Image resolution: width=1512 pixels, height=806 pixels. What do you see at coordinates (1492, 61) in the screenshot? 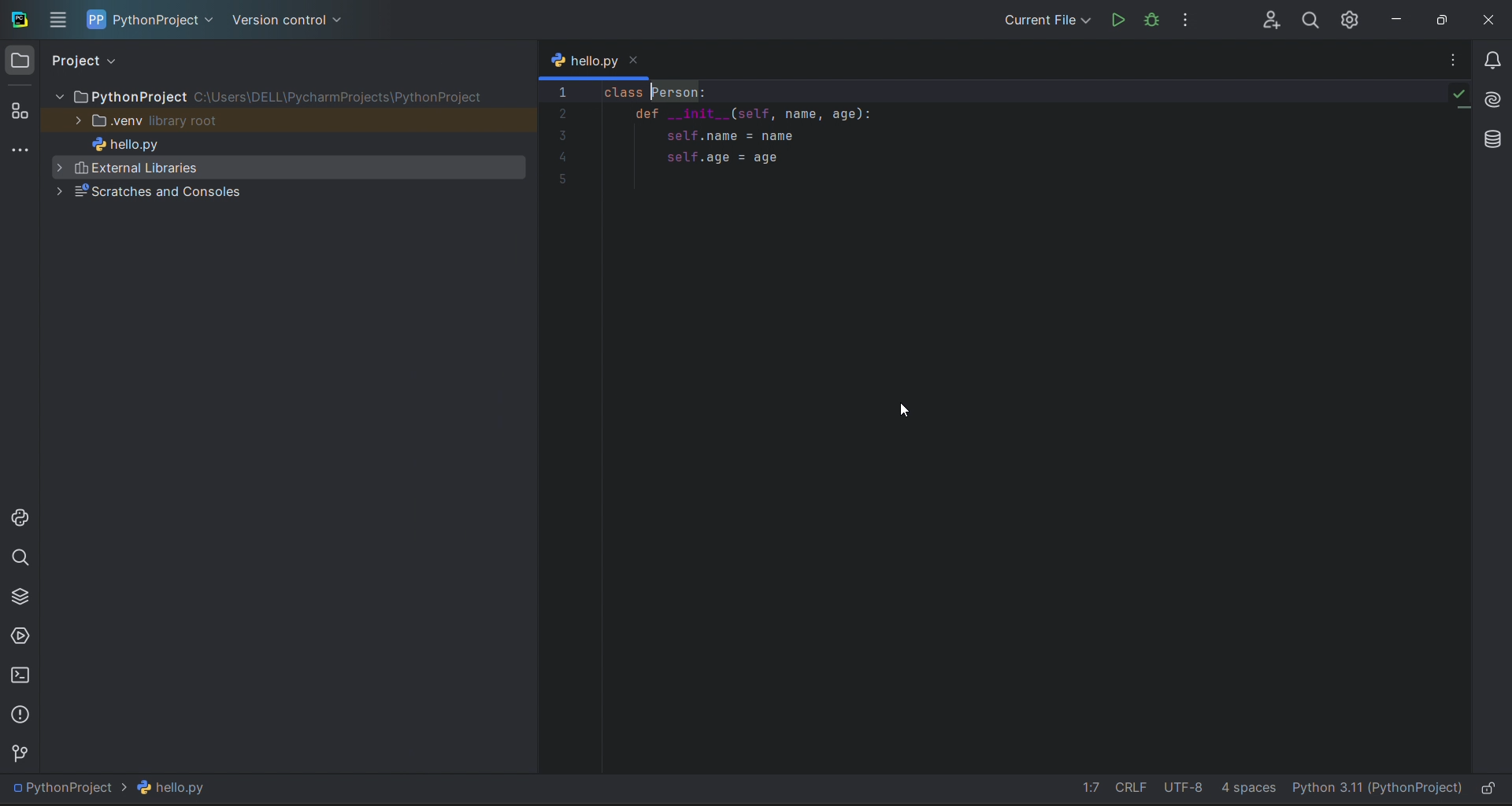
I see `notifications` at bounding box center [1492, 61].